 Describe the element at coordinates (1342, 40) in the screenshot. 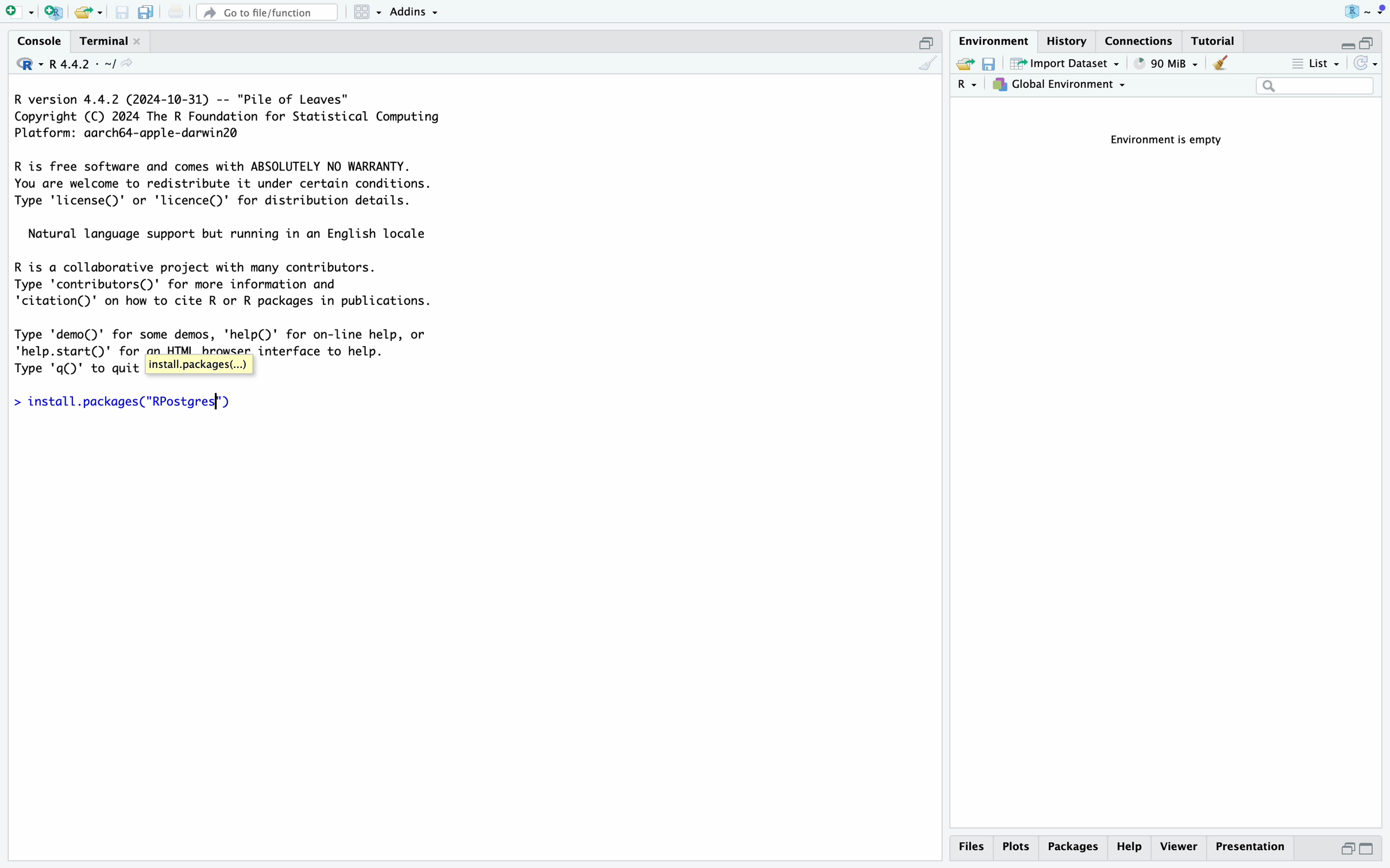

I see `minimize` at that location.